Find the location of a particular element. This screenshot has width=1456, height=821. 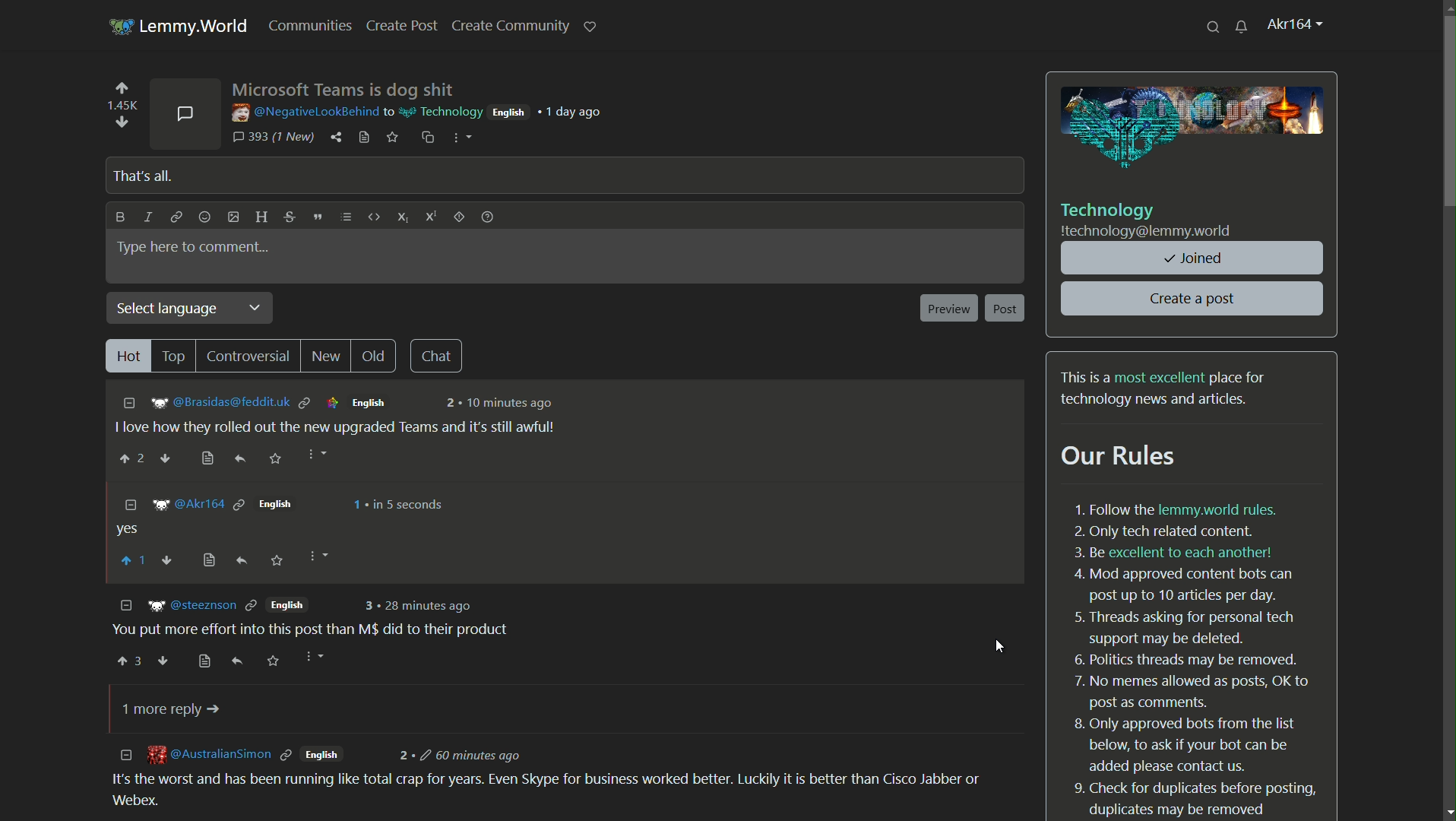

subscript is located at coordinates (403, 216).